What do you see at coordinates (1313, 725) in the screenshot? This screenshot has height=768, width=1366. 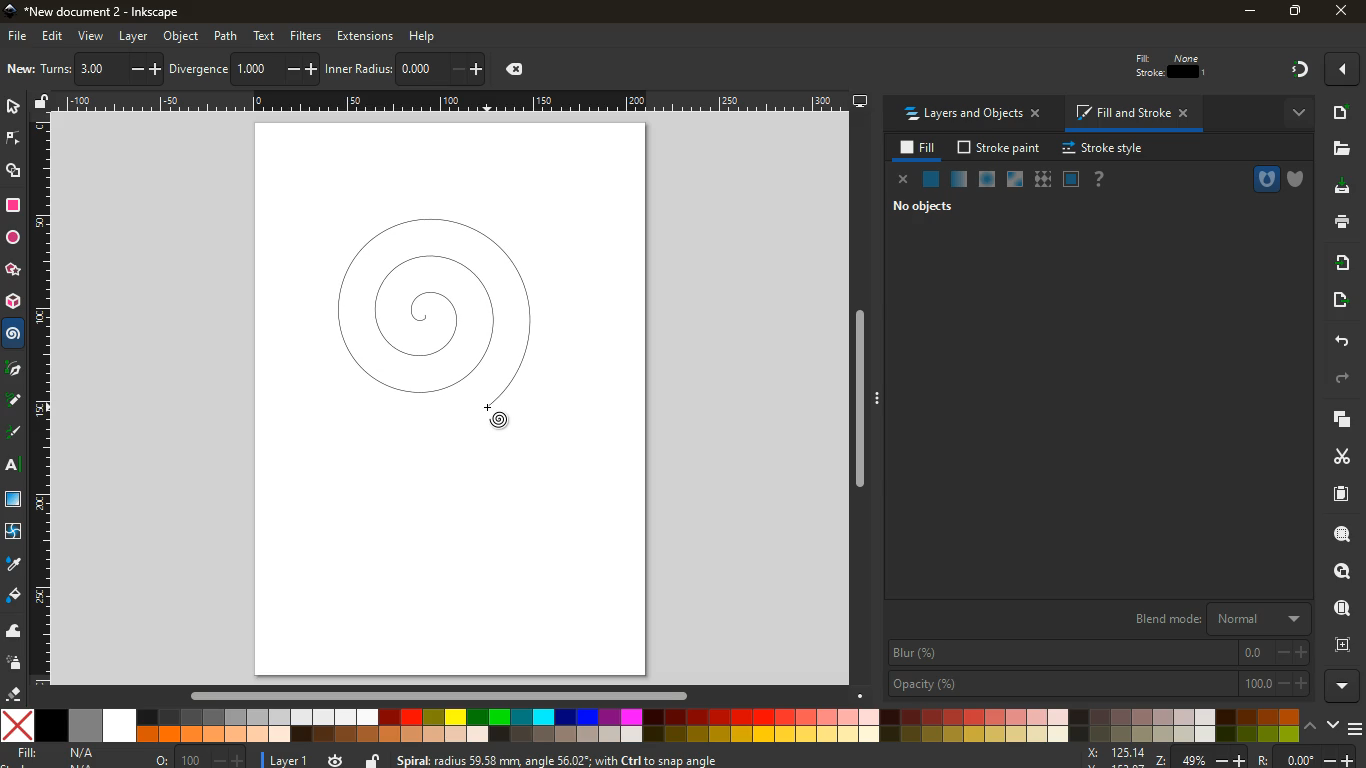 I see `up` at bounding box center [1313, 725].